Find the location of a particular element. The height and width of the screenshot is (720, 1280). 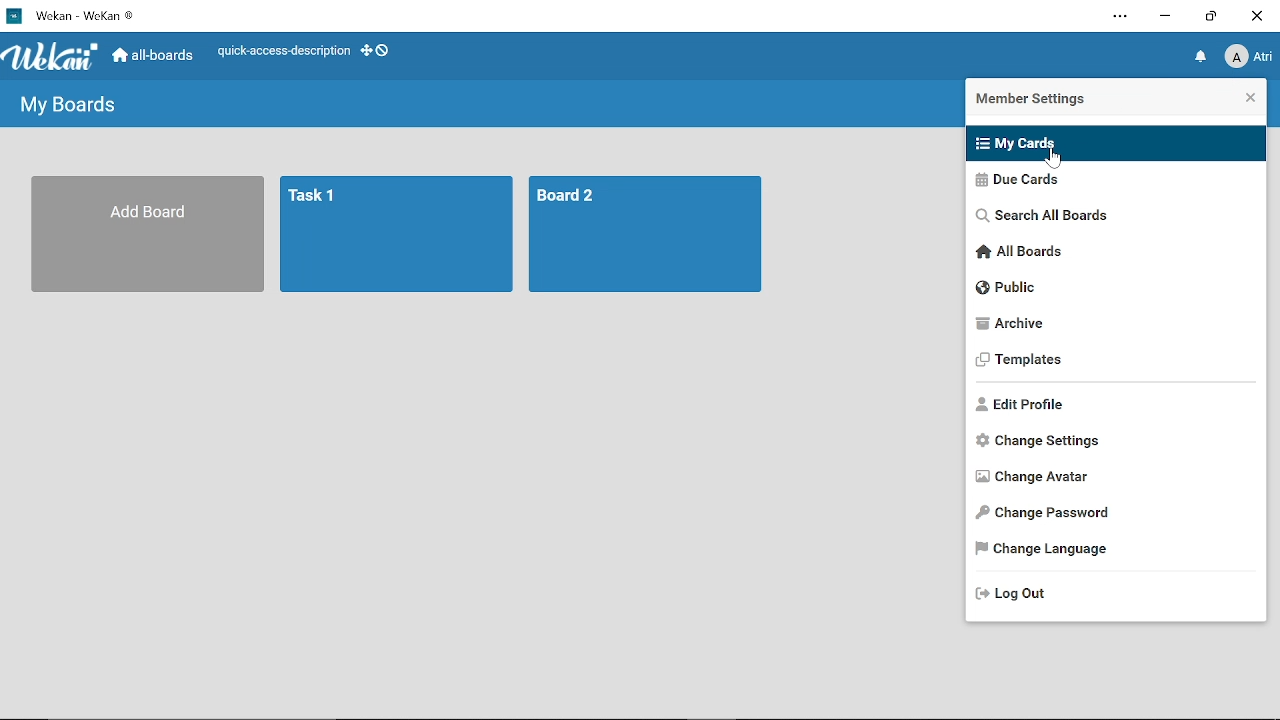

Settings and more is located at coordinates (1119, 17).